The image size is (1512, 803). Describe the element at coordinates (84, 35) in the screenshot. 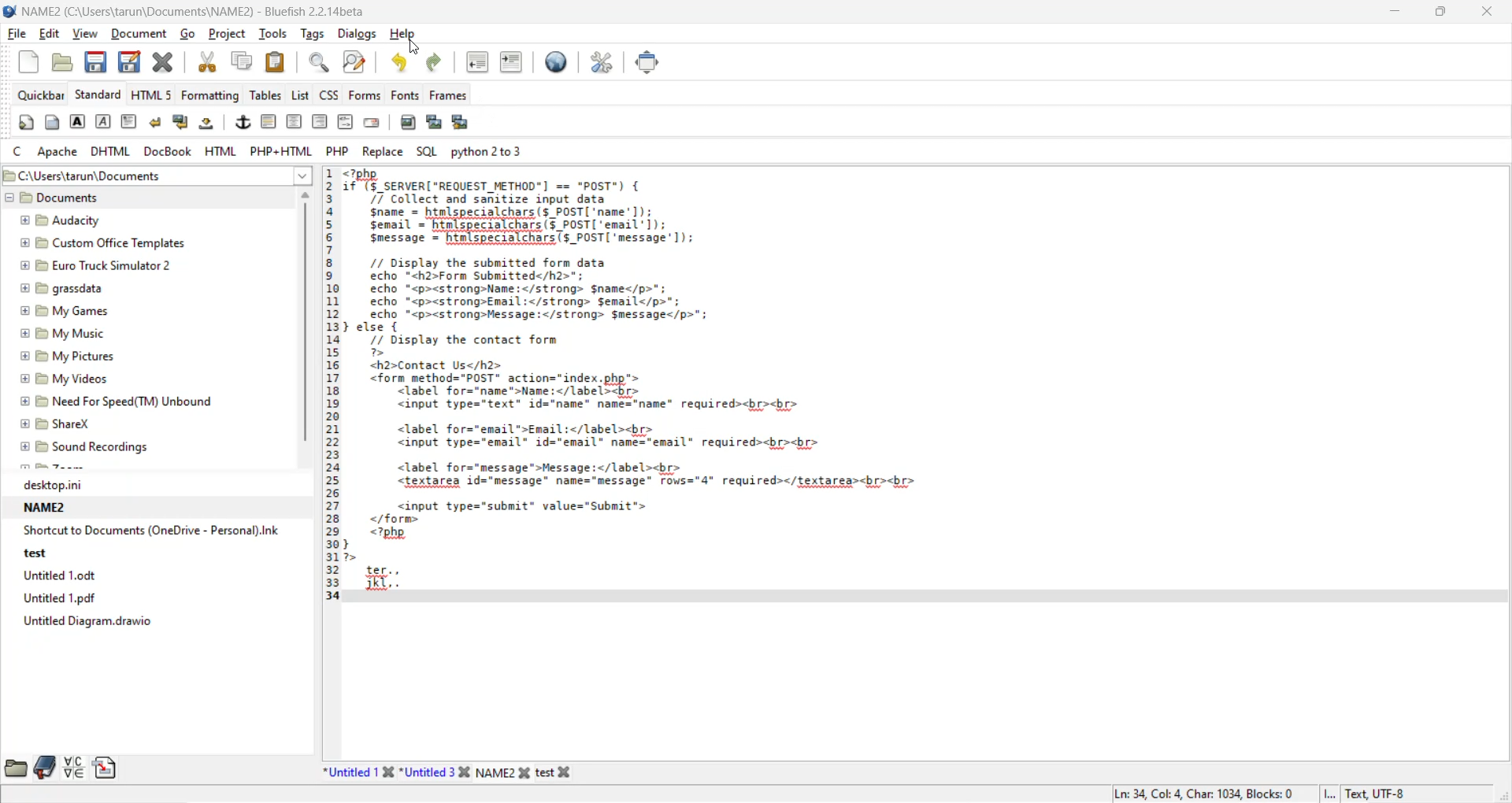

I see `view` at that location.